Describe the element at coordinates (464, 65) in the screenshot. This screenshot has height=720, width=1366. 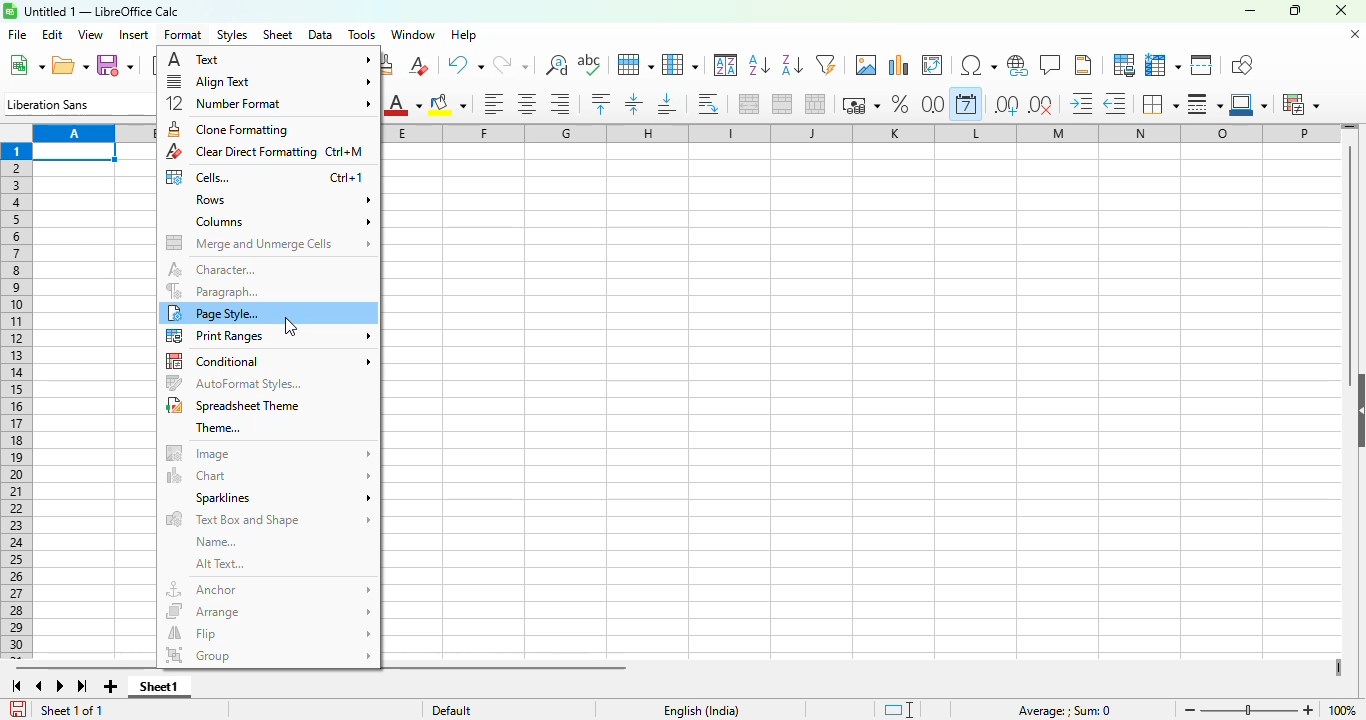
I see `undo` at that location.